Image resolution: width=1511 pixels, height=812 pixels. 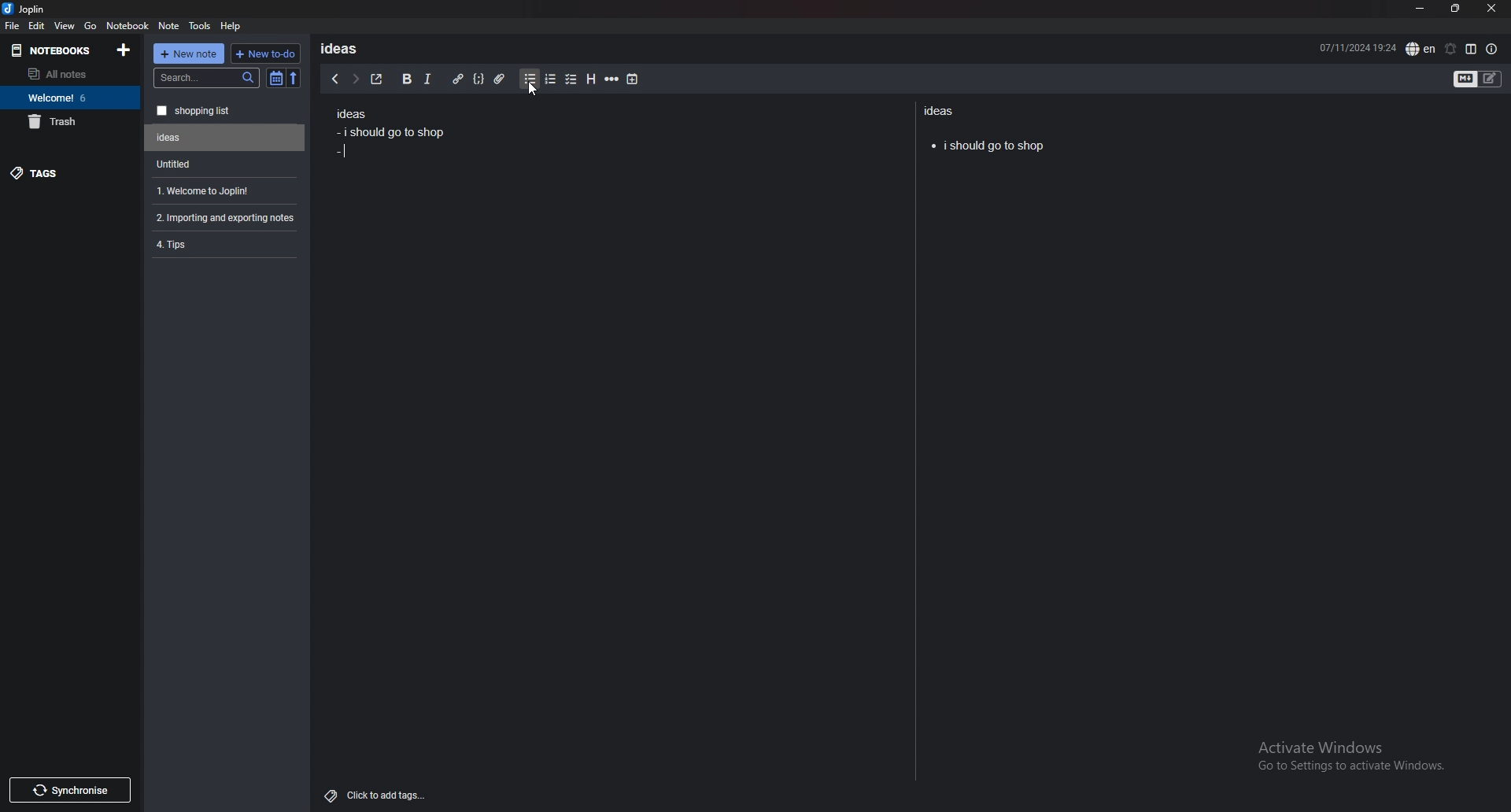 I want to click on ideas, so click(x=345, y=48).